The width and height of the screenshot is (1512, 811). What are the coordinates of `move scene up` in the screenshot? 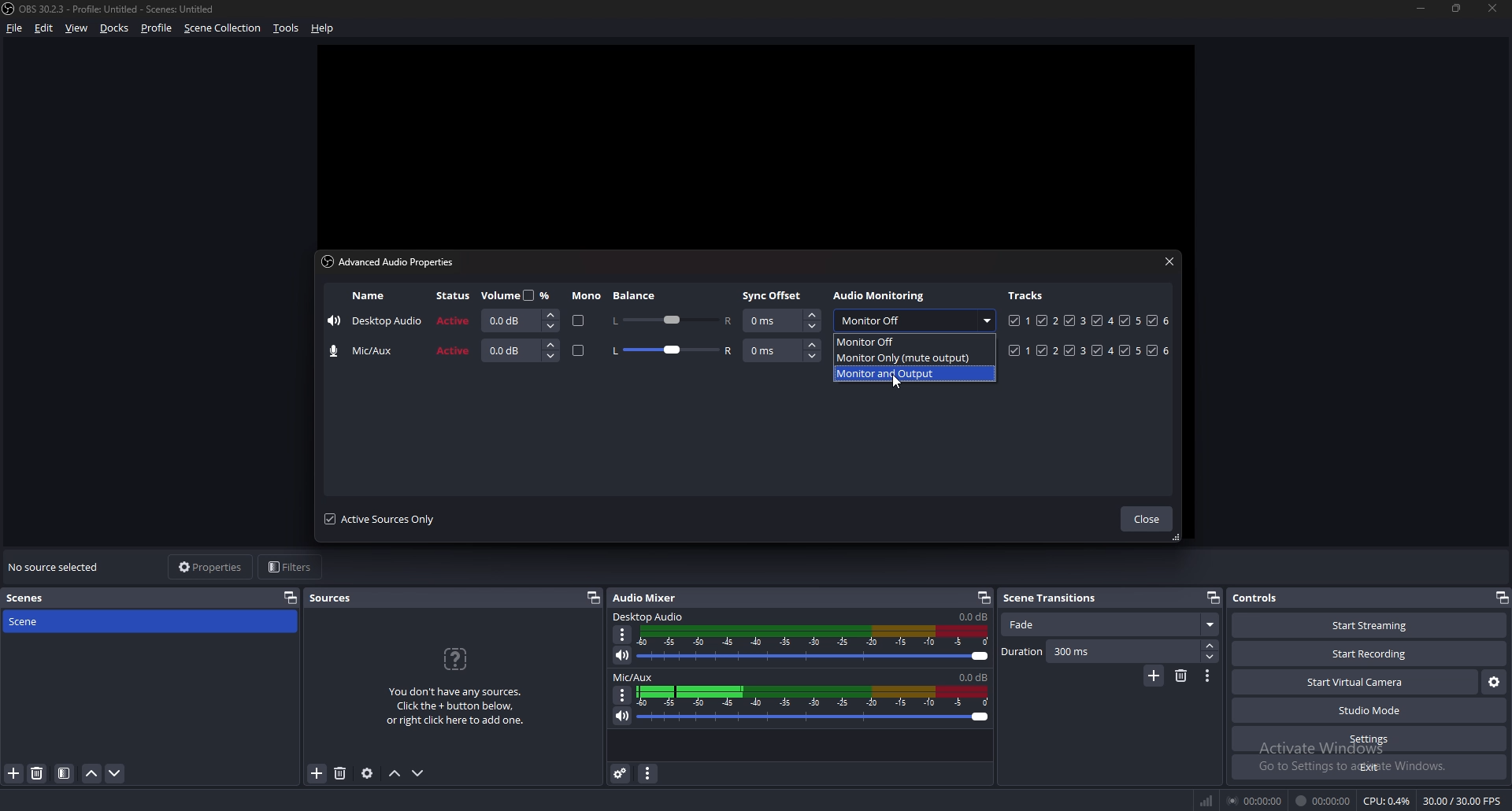 It's located at (93, 774).